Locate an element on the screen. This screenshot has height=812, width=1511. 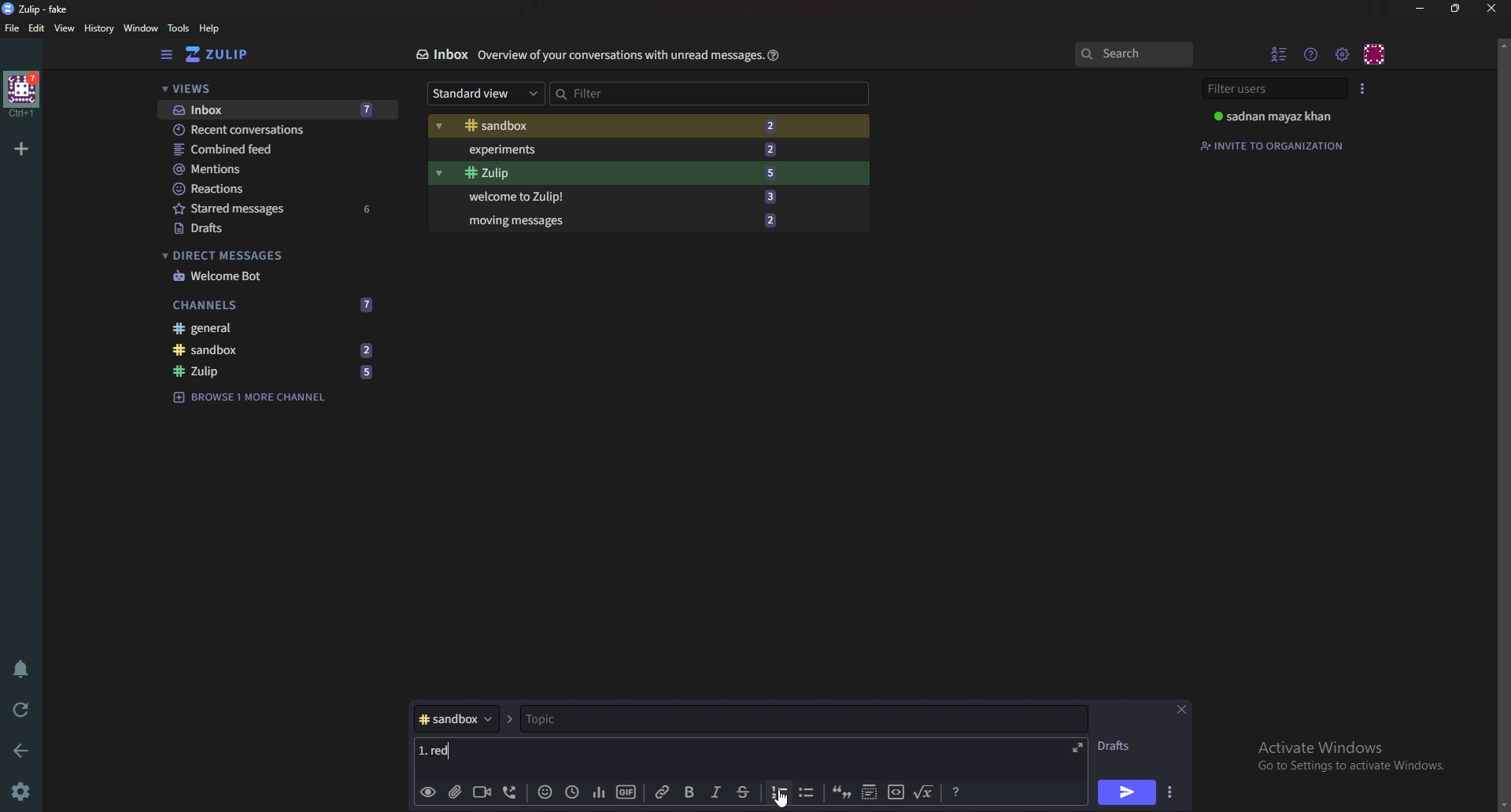
Experiments is located at coordinates (622, 149).